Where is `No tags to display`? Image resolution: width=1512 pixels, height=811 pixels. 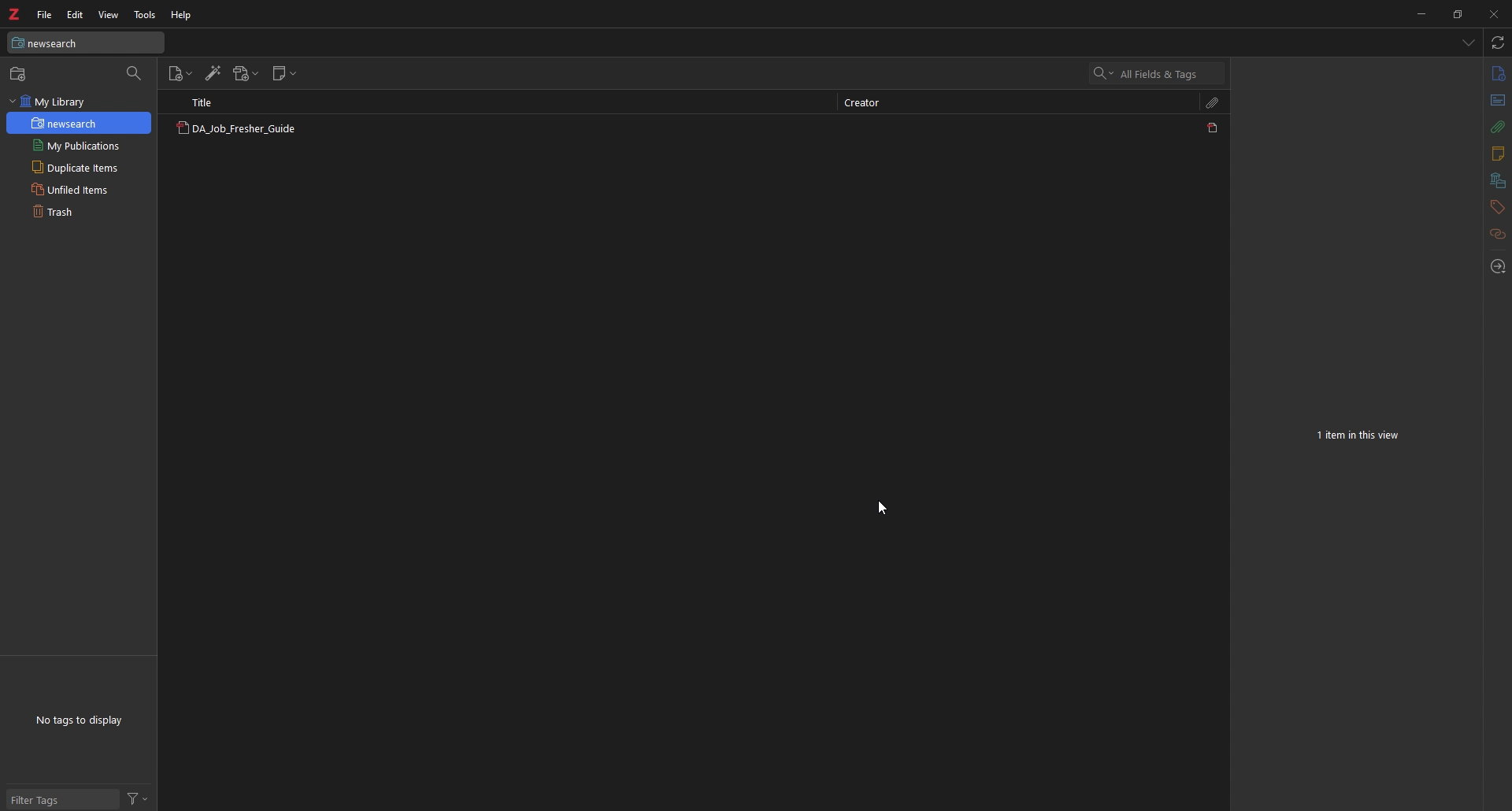 No tags to display is located at coordinates (79, 720).